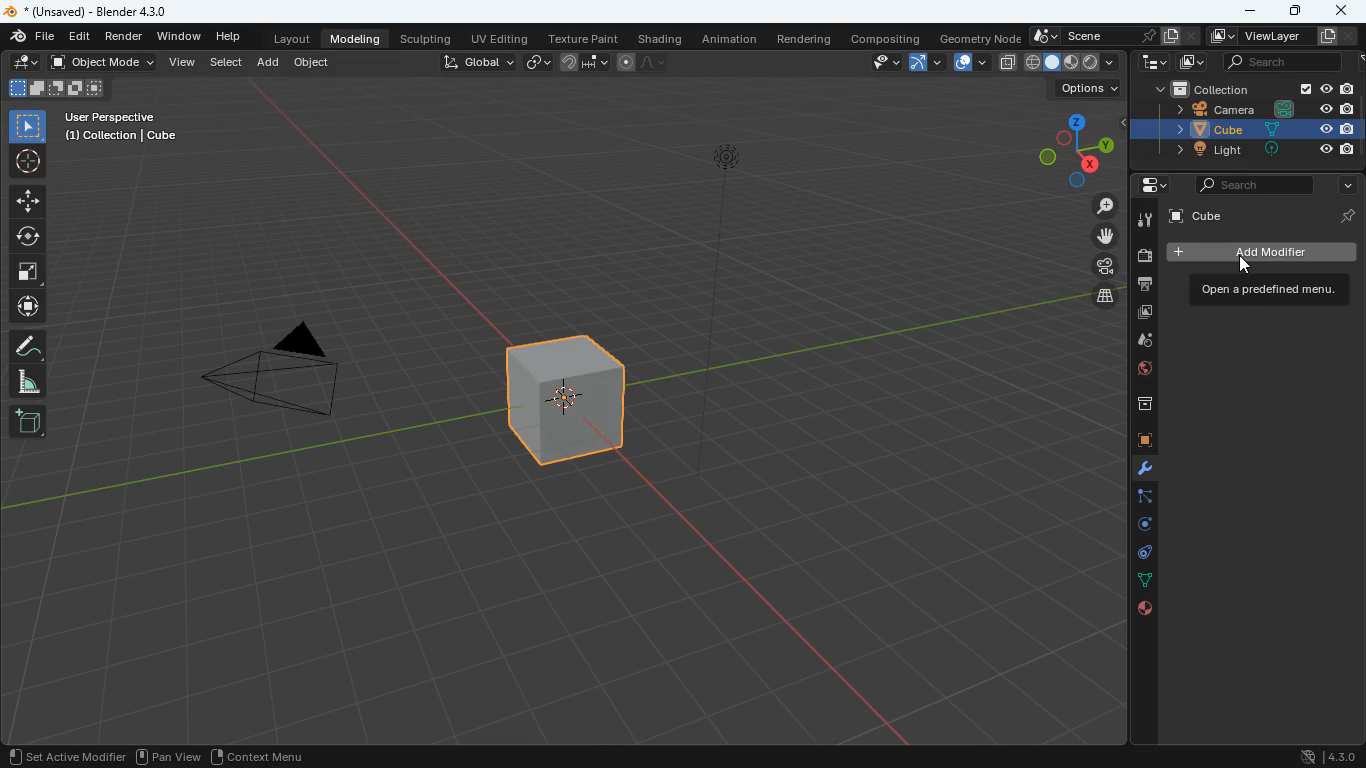 This screenshot has height=768, width=1366. I want to click on sculpting, so click(425, 37).